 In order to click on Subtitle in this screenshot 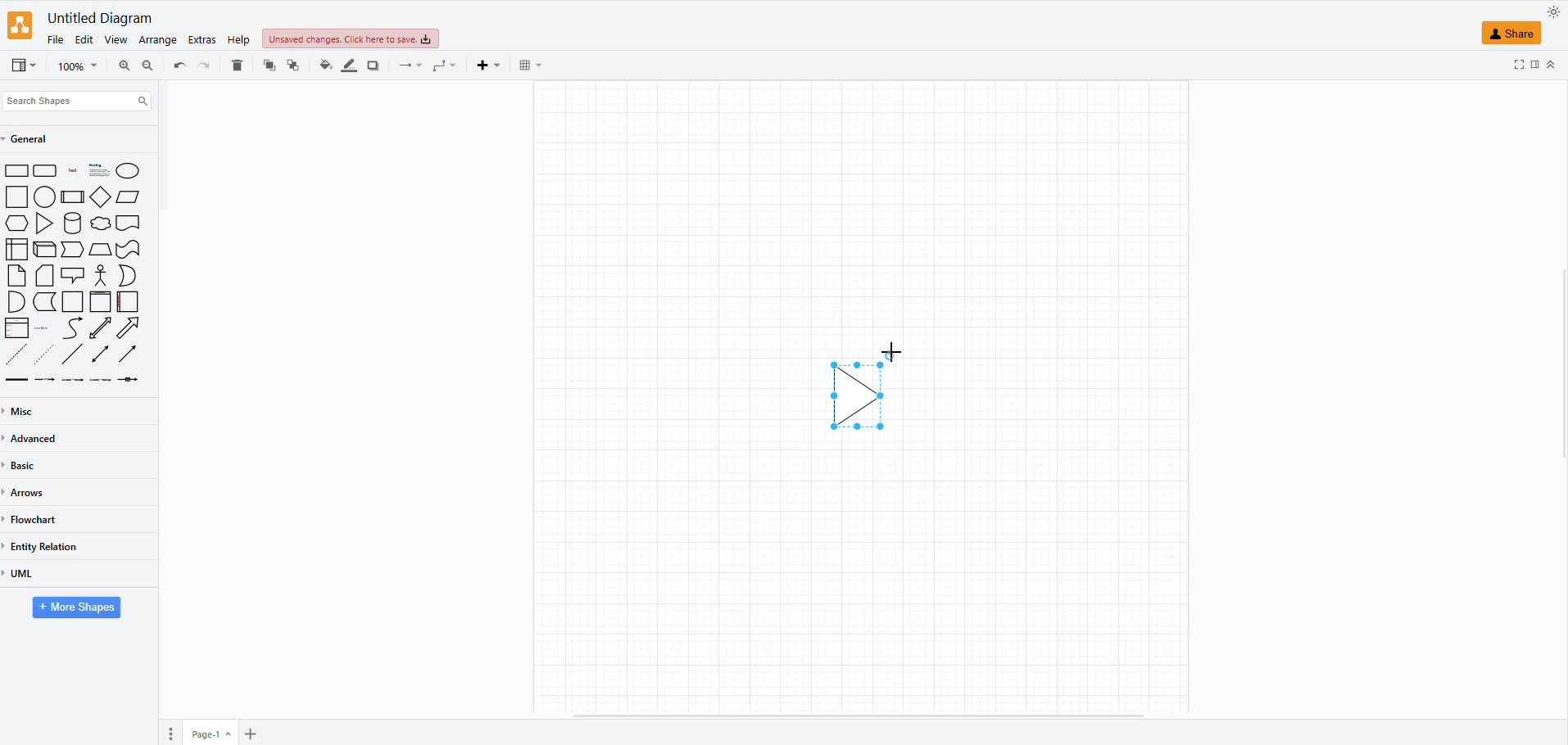, I will do `click(100, 170)`.